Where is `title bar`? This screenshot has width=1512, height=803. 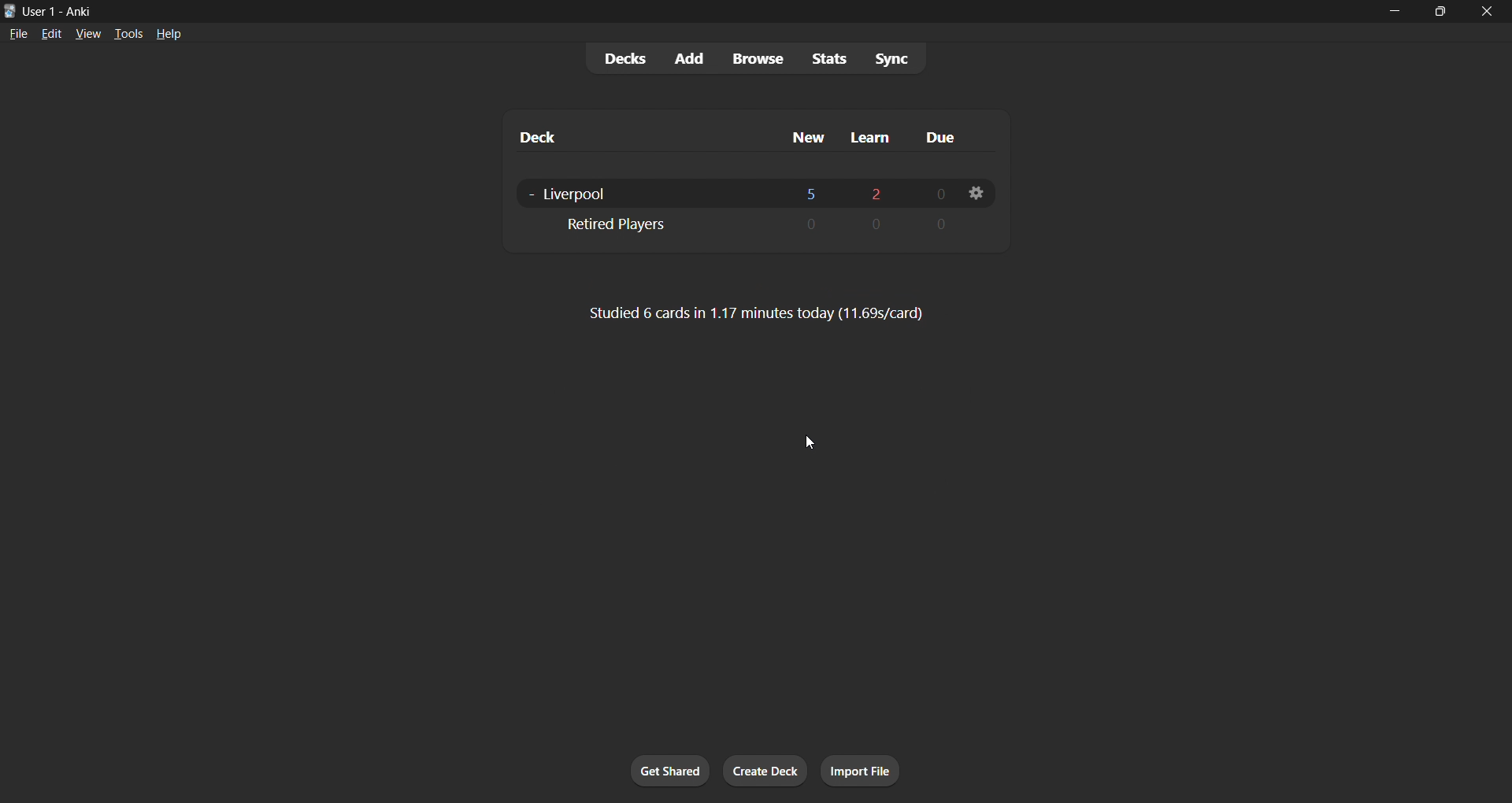
title bar is located at coordinates (668, 12).